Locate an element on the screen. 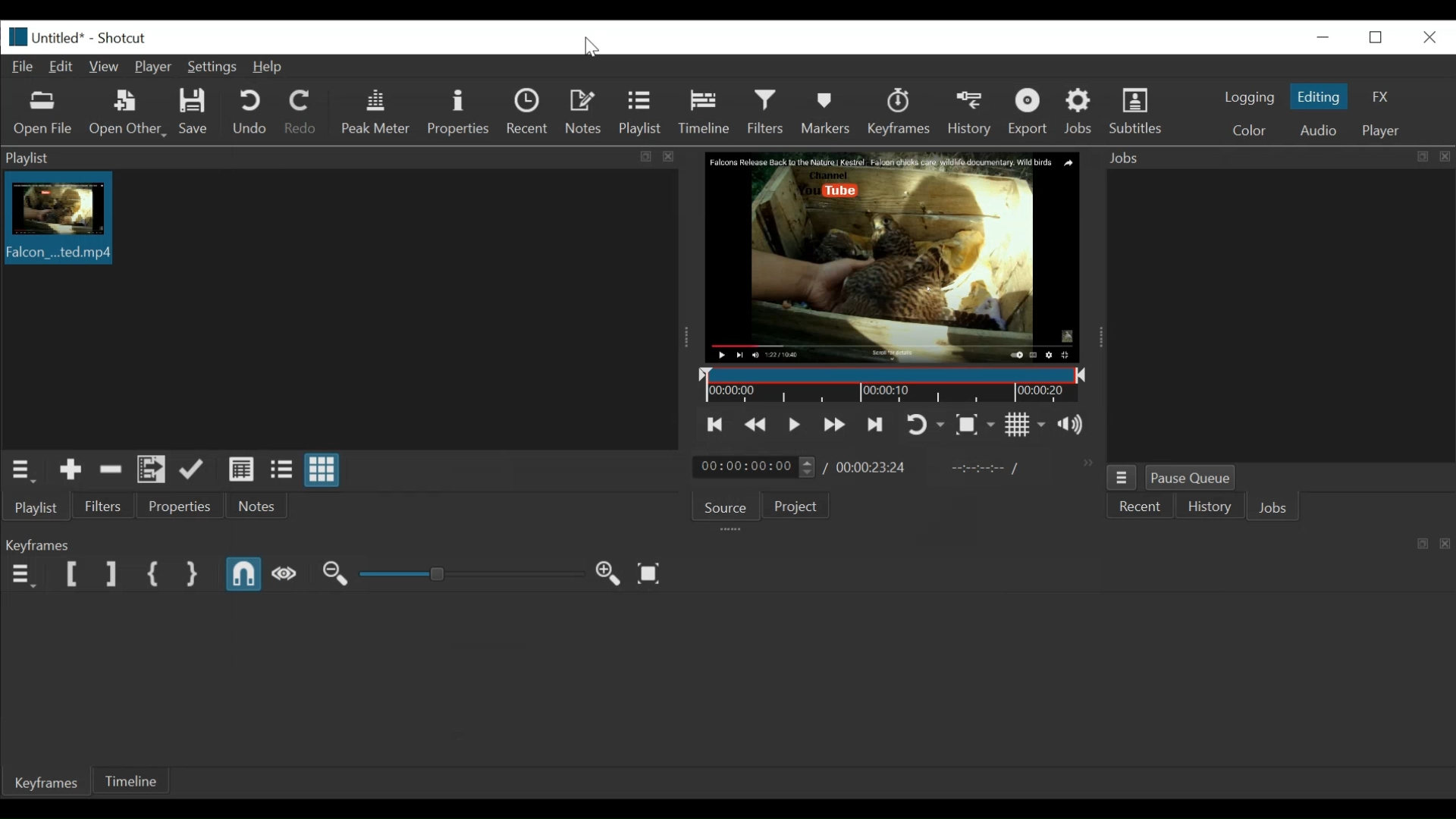 This screenshot has height=819, width=1456. Markers is located at coordinates (829, 114).